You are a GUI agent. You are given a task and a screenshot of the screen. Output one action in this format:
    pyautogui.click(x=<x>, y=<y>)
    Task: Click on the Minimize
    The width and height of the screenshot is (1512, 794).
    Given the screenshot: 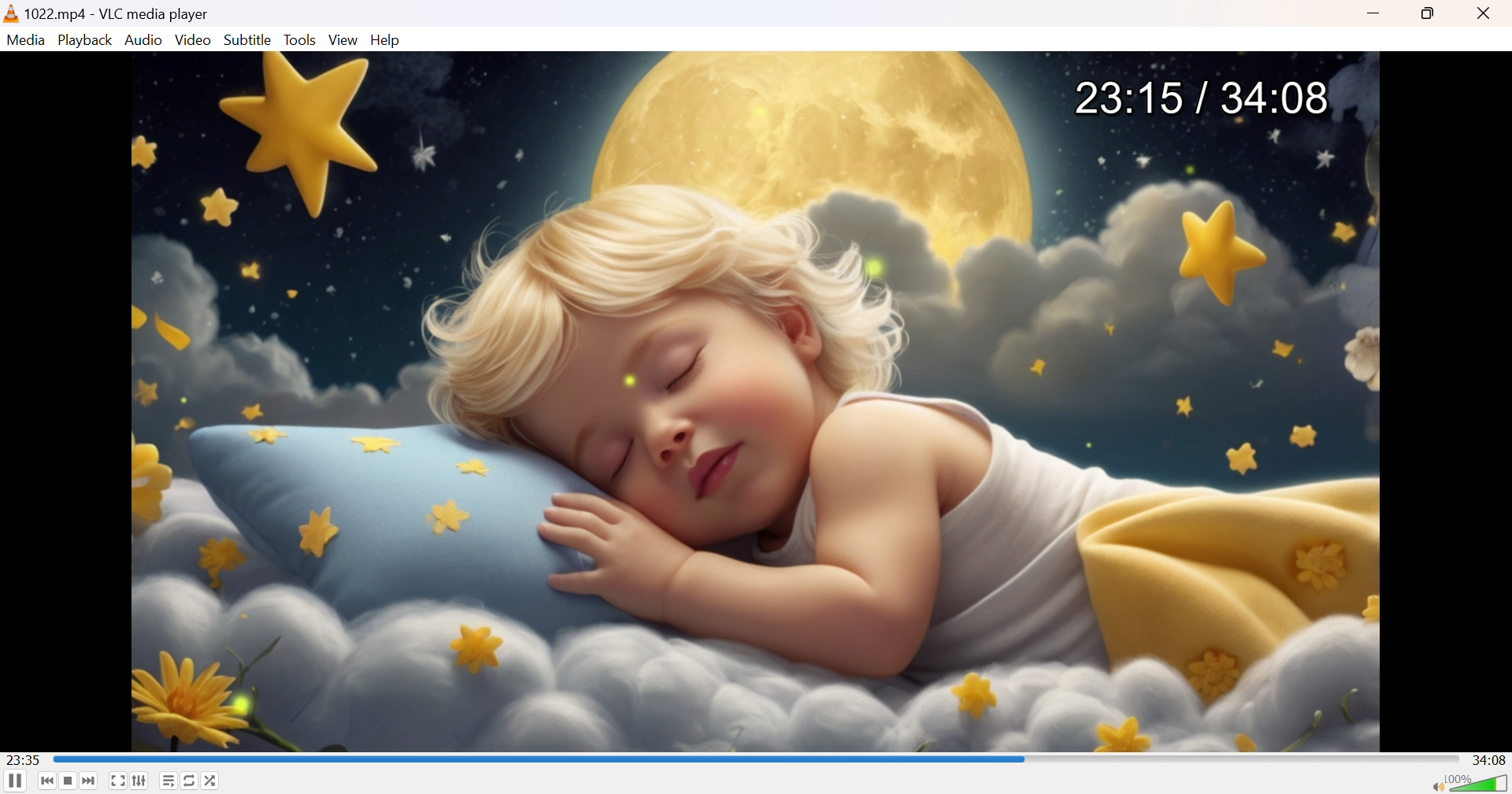 What is the action you would take?
    pyautogui.click(x=1375, y=15)
    